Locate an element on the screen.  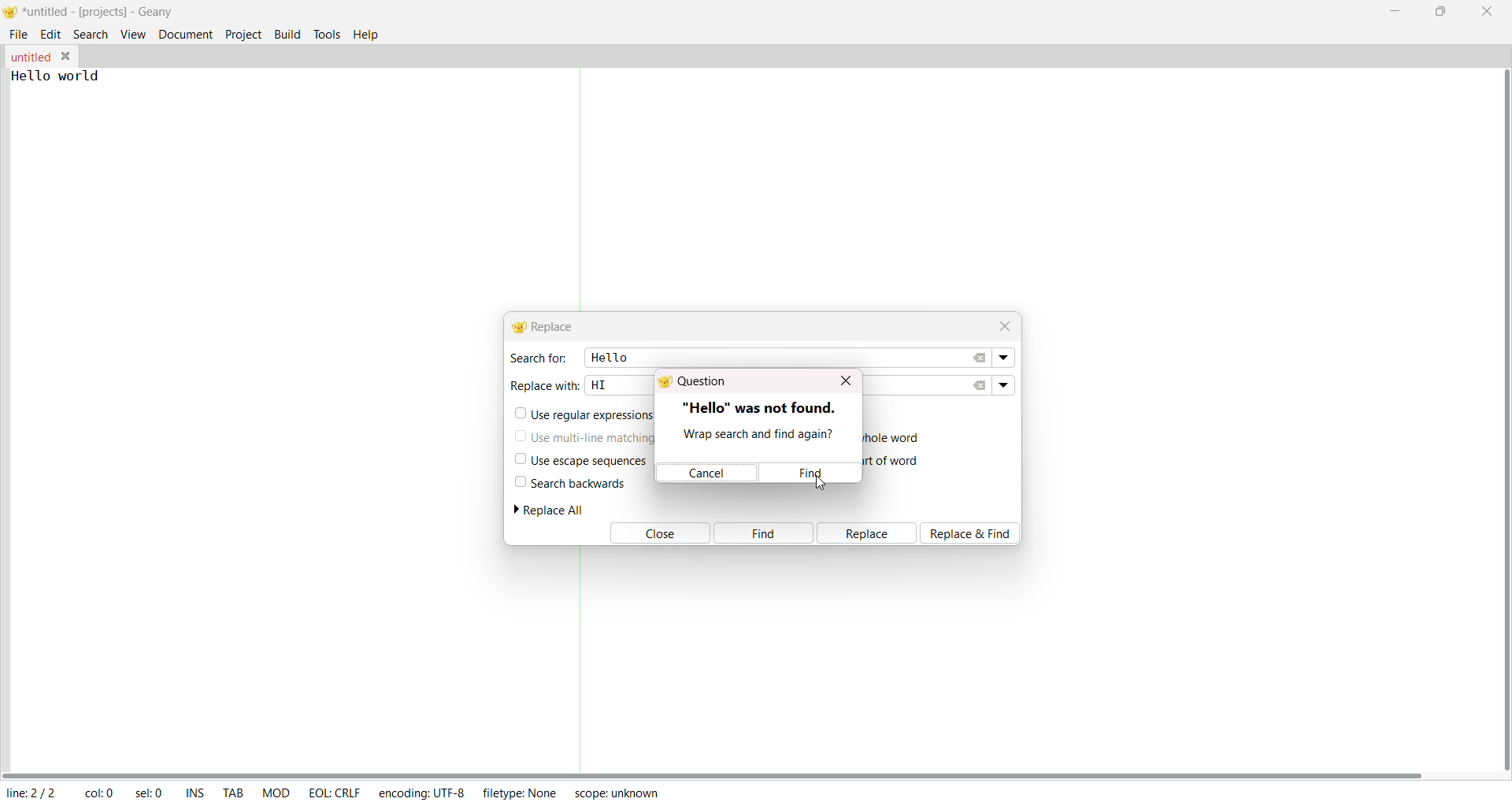
question is located at coordinates (697, 383).